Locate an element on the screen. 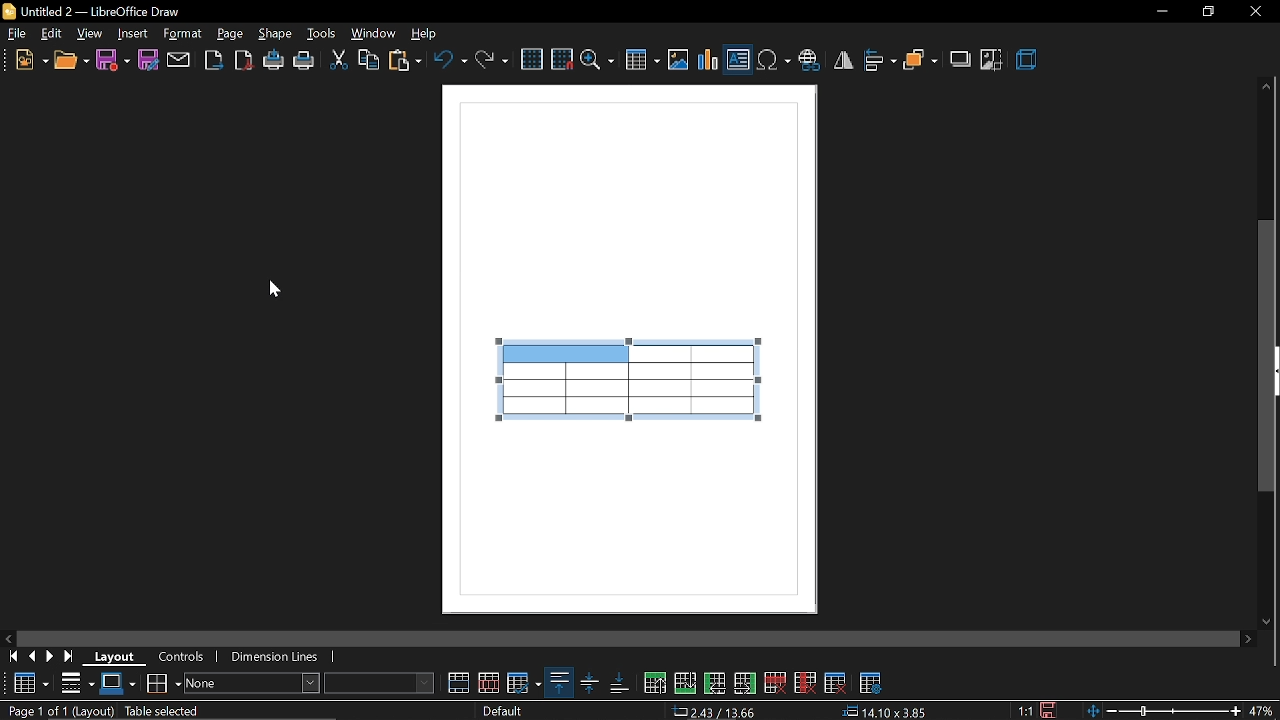 The width and height of the screenshot is (1280, 720). flip is located at coordinates (842, 58).